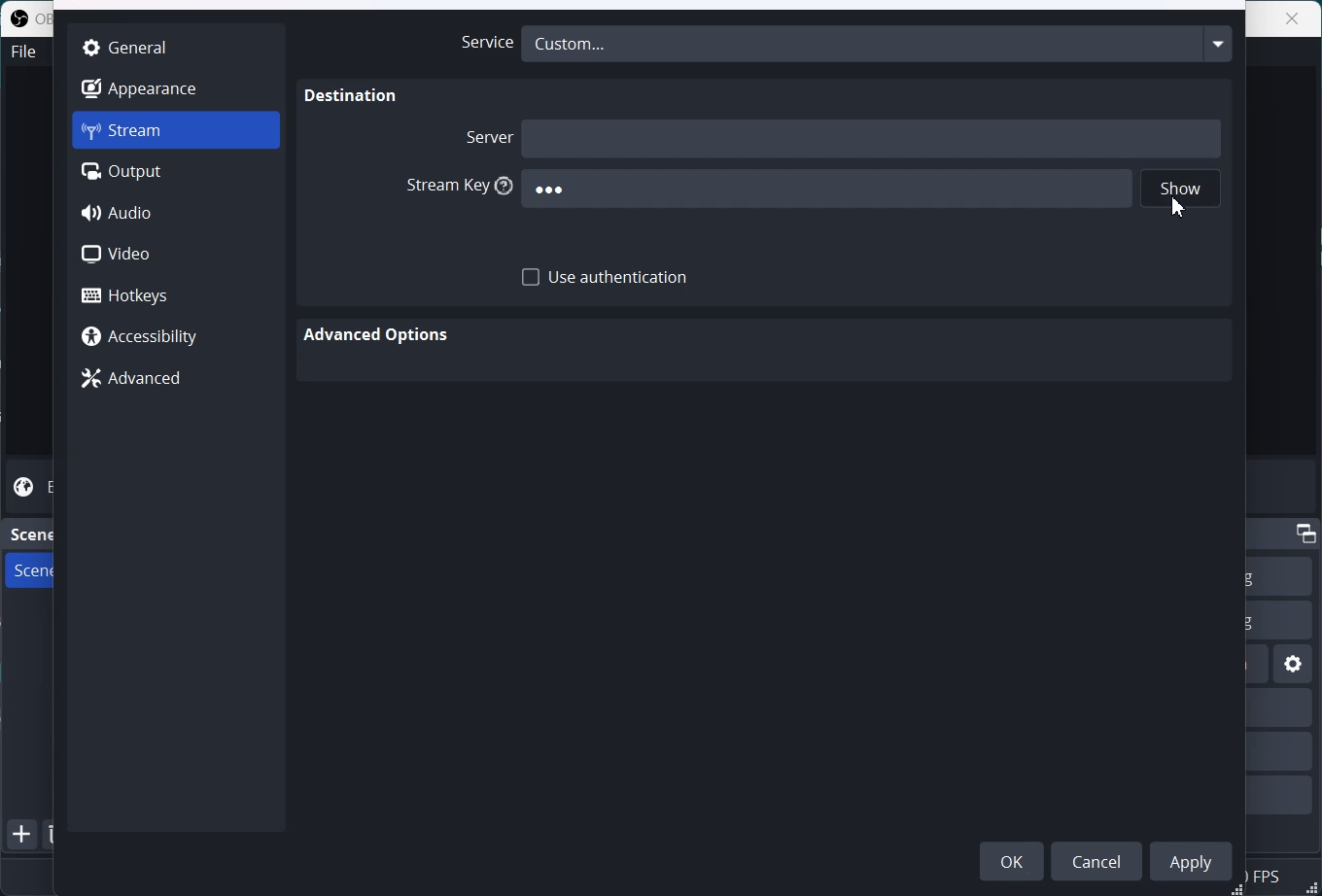 The width and height of the screenshot is (1322, 896). Describe the element at coordinates (379, 335) in the screenshot. I see `Advanced Option` at that location.